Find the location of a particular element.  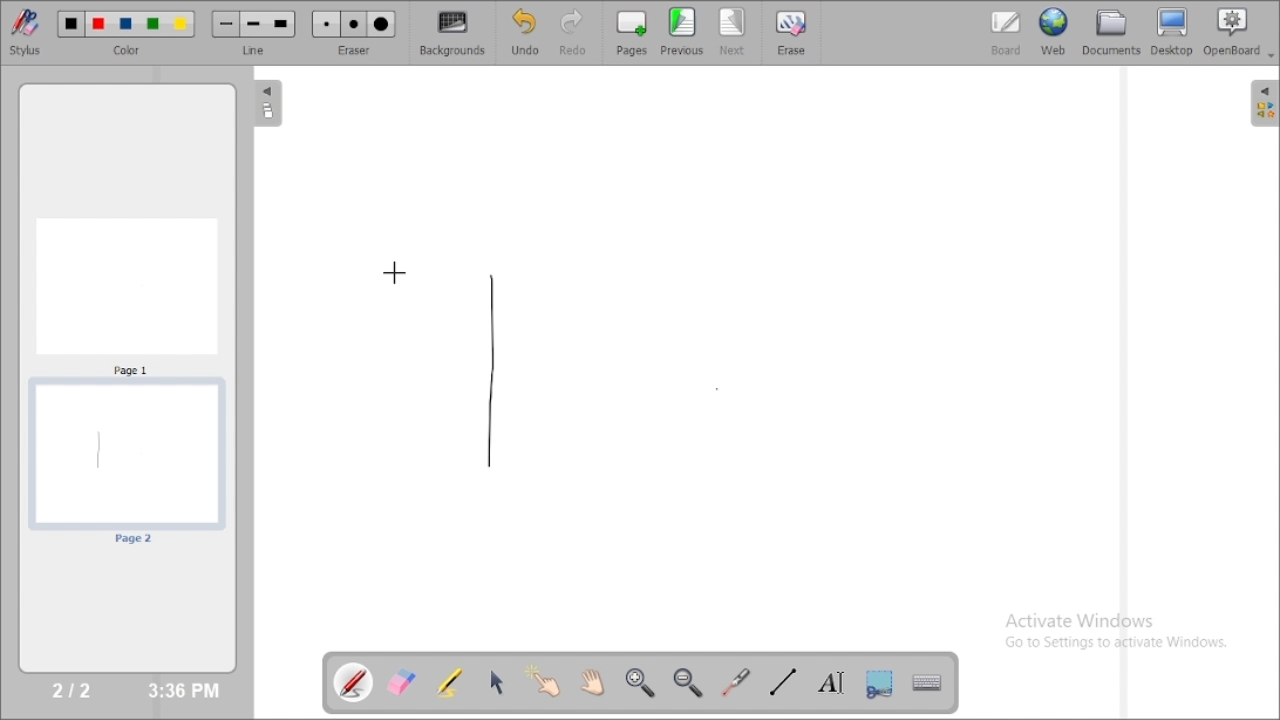

scroll page is located at coordinates (591, 681).